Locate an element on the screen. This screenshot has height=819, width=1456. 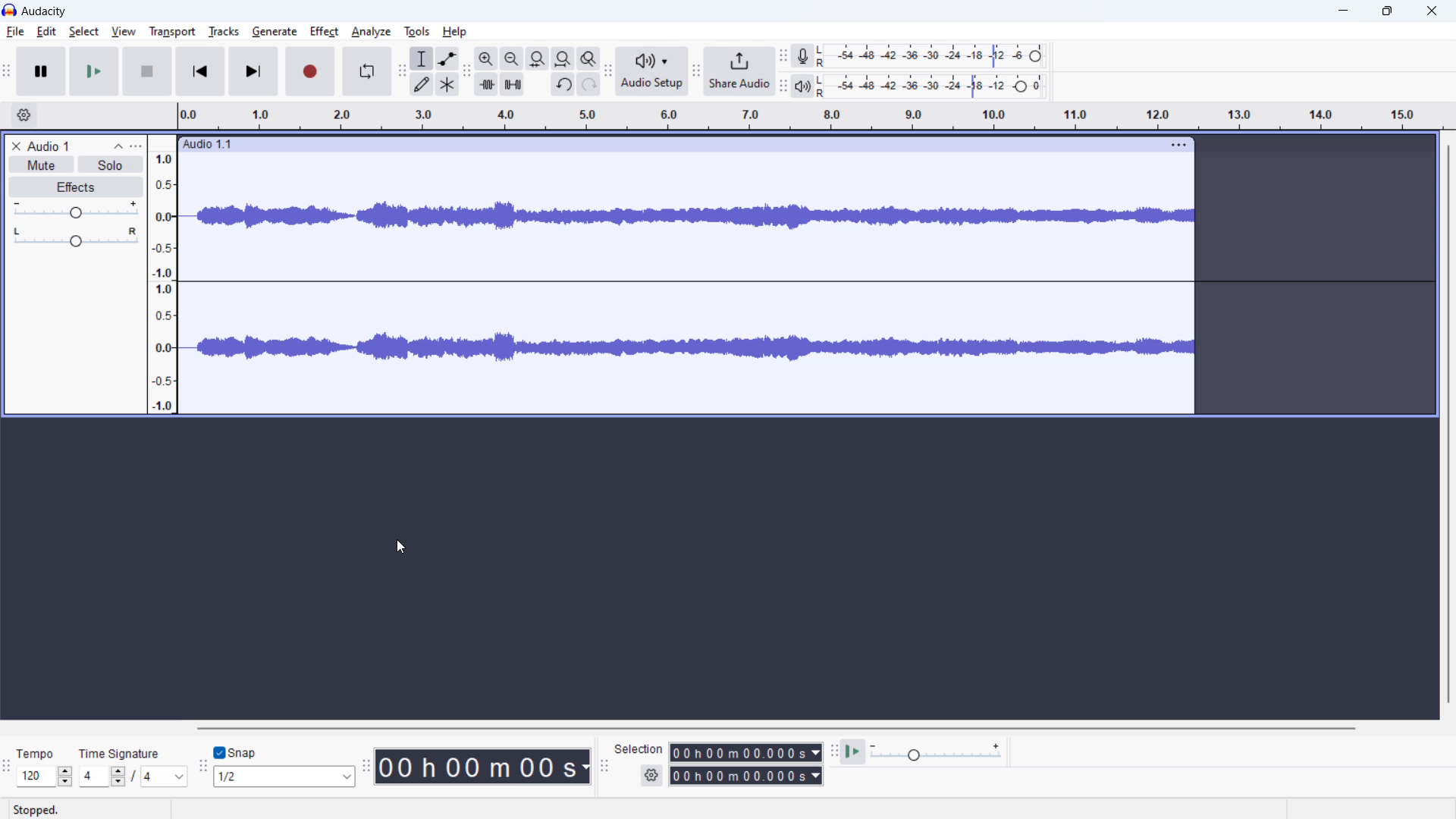
audio setup is located at coordinates (652, 72).